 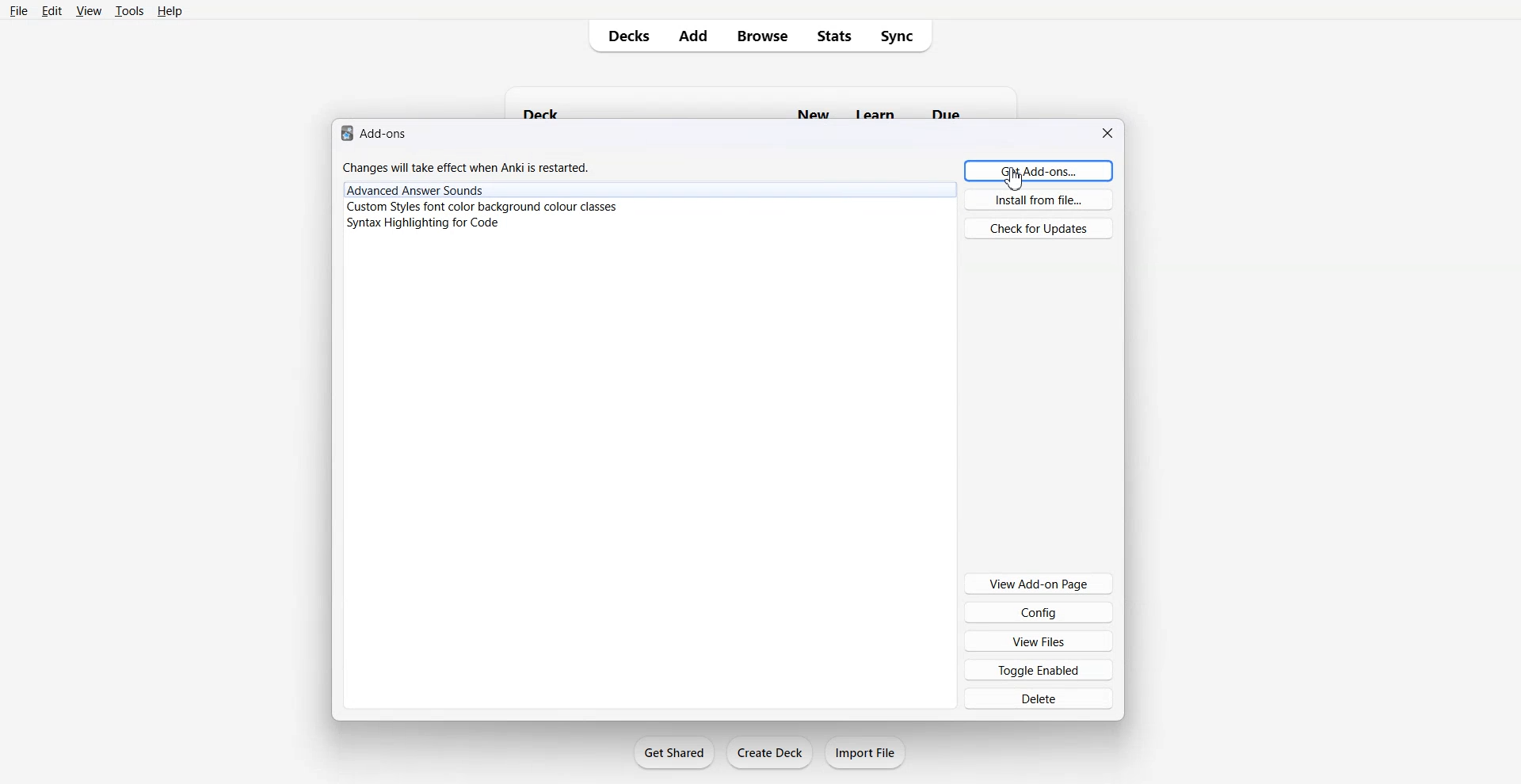 I want to click on Check for Updates, so click(x=1041, y=228).